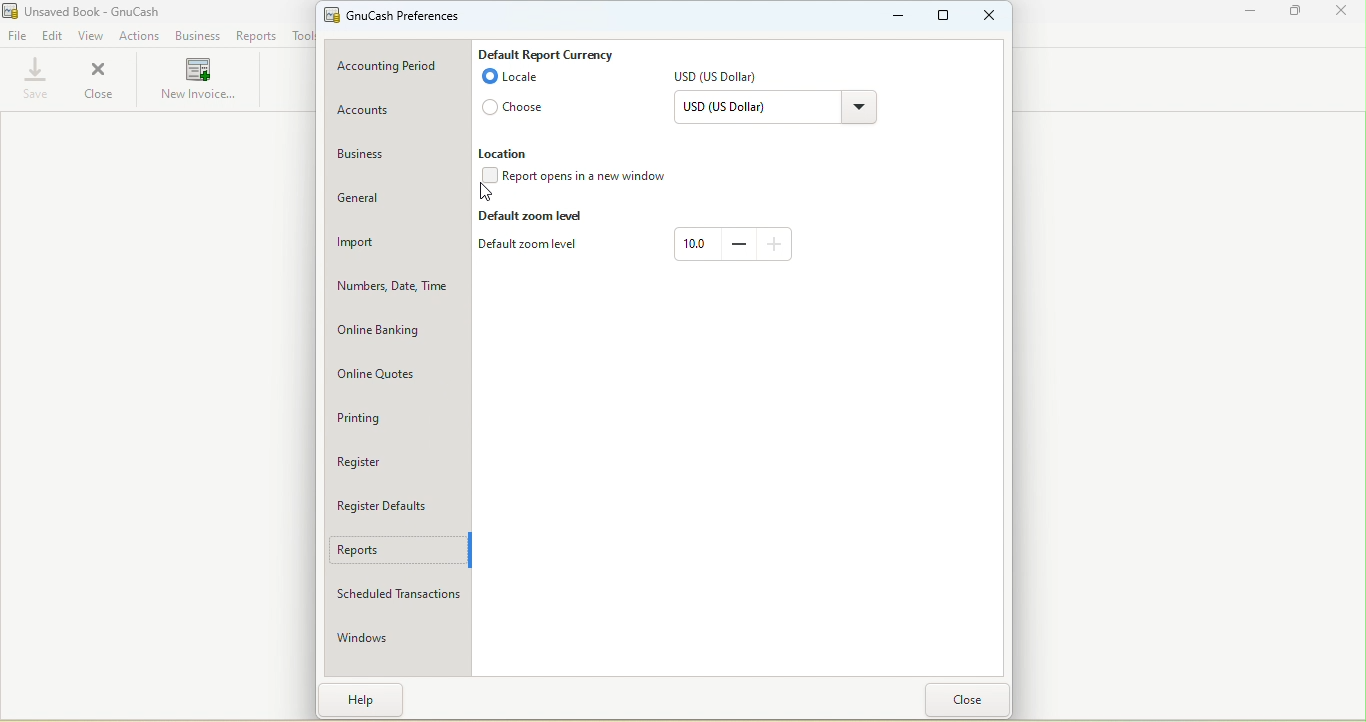 This screenshot has height=722, width=1366. I want to click on Online quotes, so click(397, 377).